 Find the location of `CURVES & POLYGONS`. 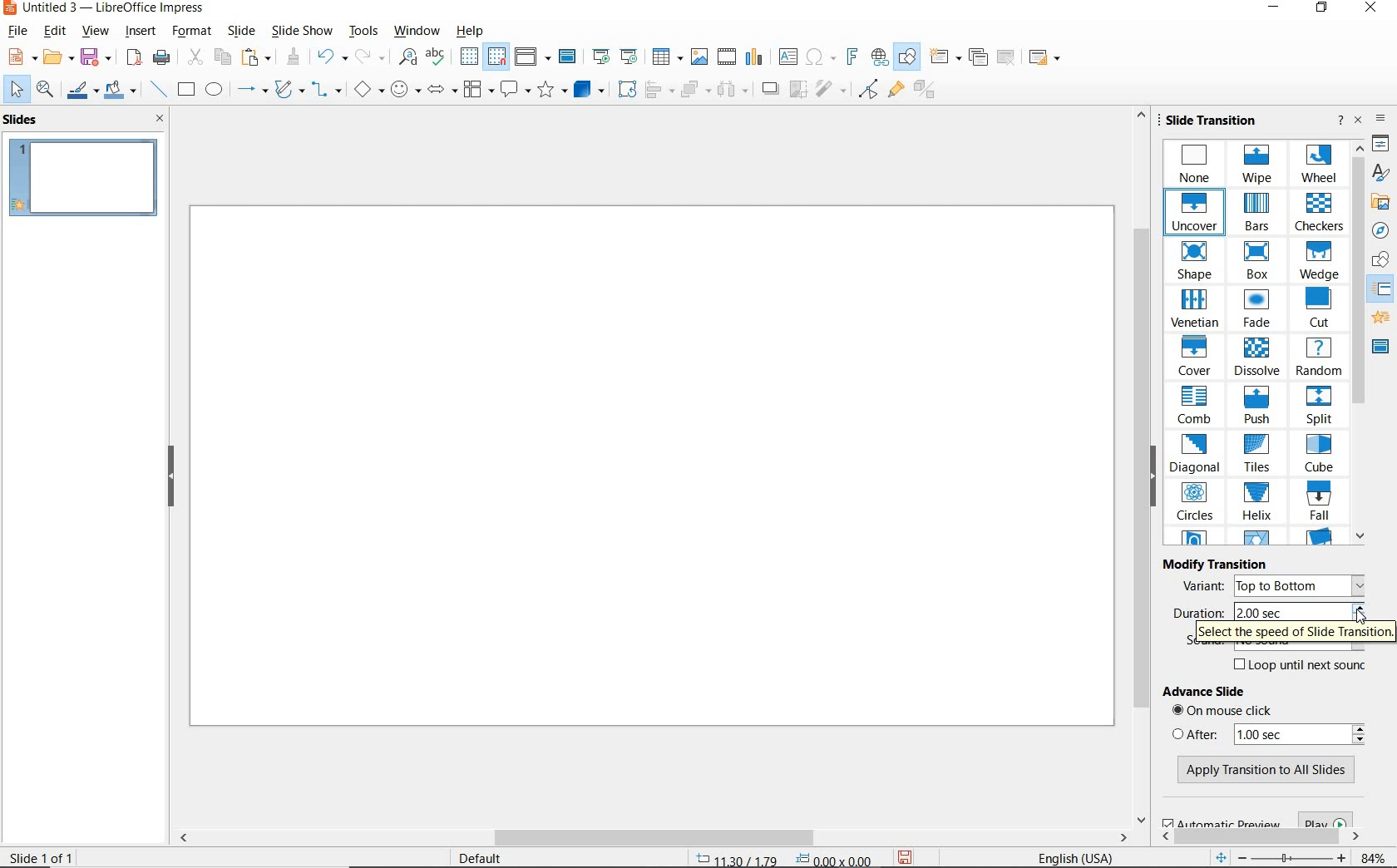

CURVES & POLYGONS is located at coordinates (288, 89).